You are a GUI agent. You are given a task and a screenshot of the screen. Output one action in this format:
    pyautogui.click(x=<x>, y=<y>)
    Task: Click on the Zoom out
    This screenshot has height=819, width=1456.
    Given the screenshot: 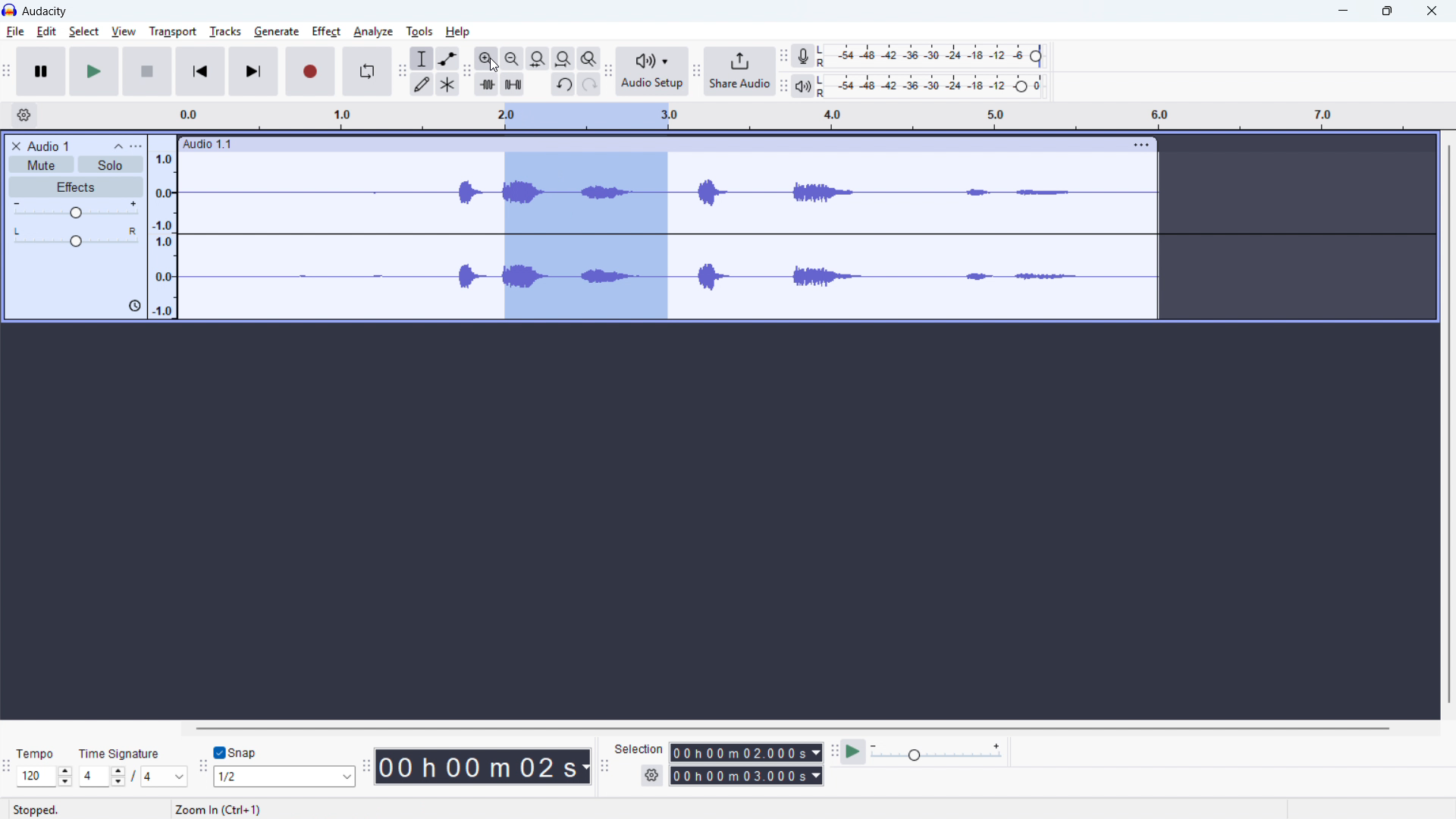 What is the action you would take?
    pyautogui.click(x=511, y=59)
    